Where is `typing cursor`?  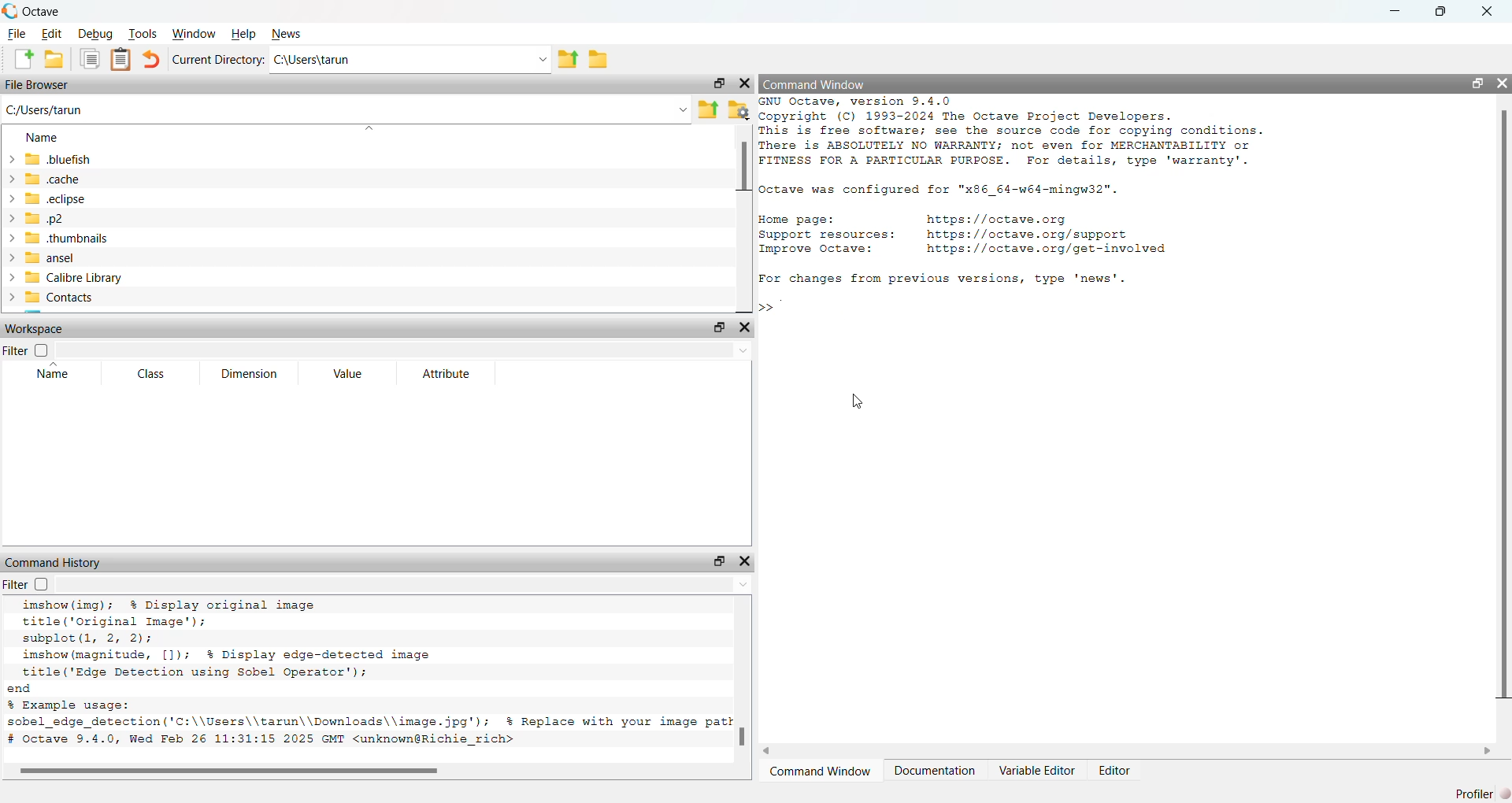 typing cursor is located at coordinates (784, 310).